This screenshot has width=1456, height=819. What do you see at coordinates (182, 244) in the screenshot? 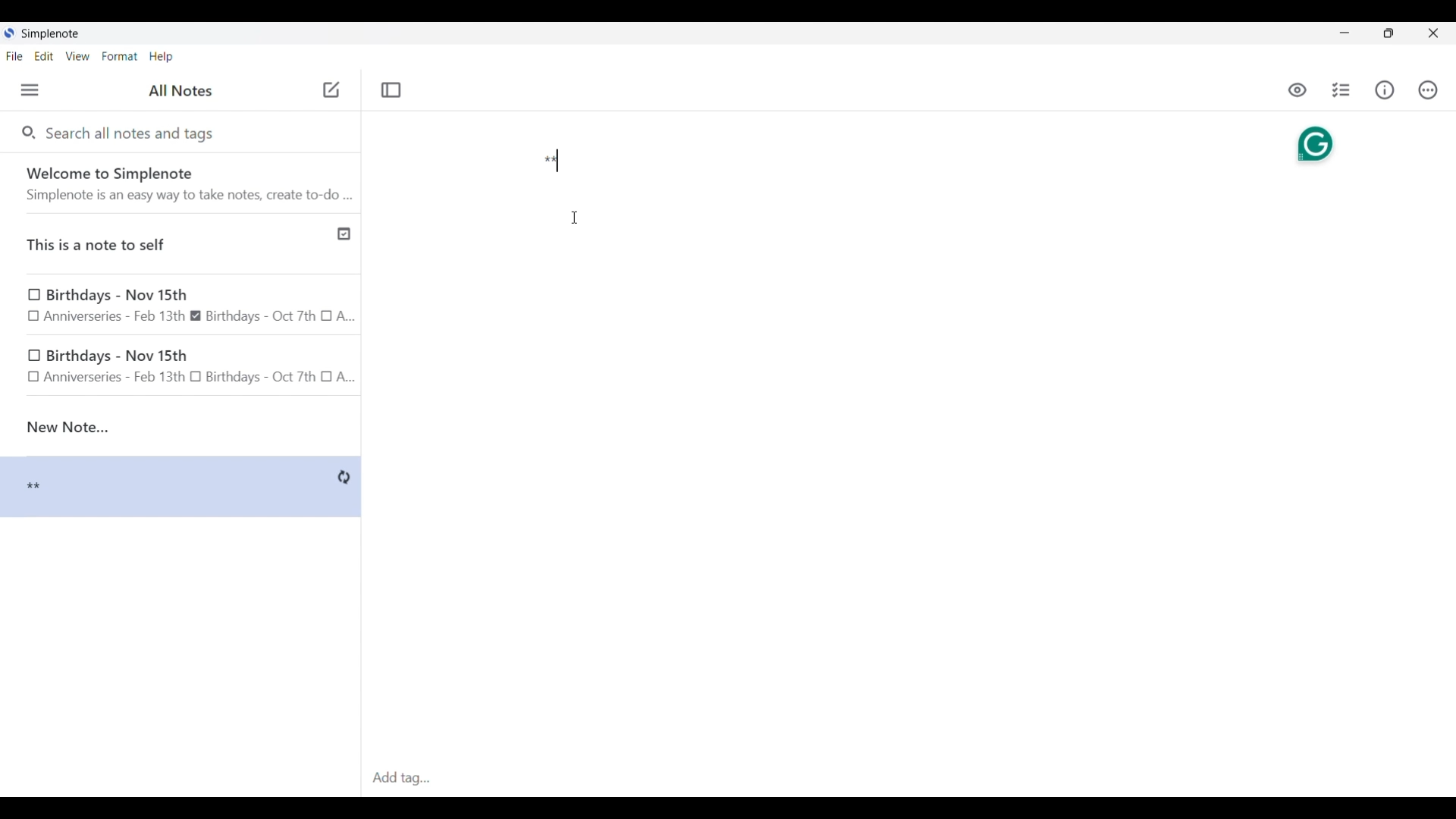
I see `Published note indicated by check icon` at bounding box center [182, 244].